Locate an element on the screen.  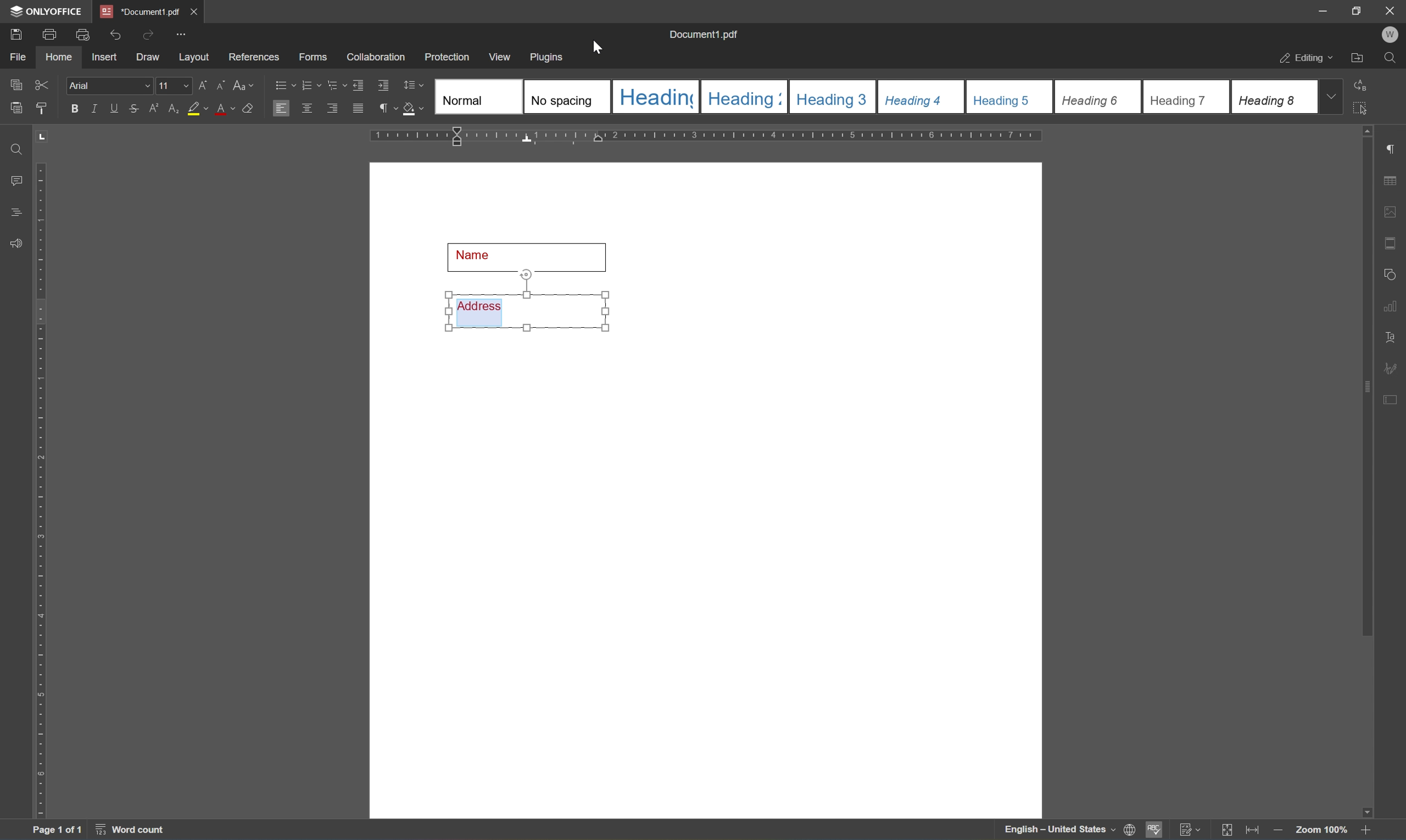
bold is located at coordinates (73, 109).